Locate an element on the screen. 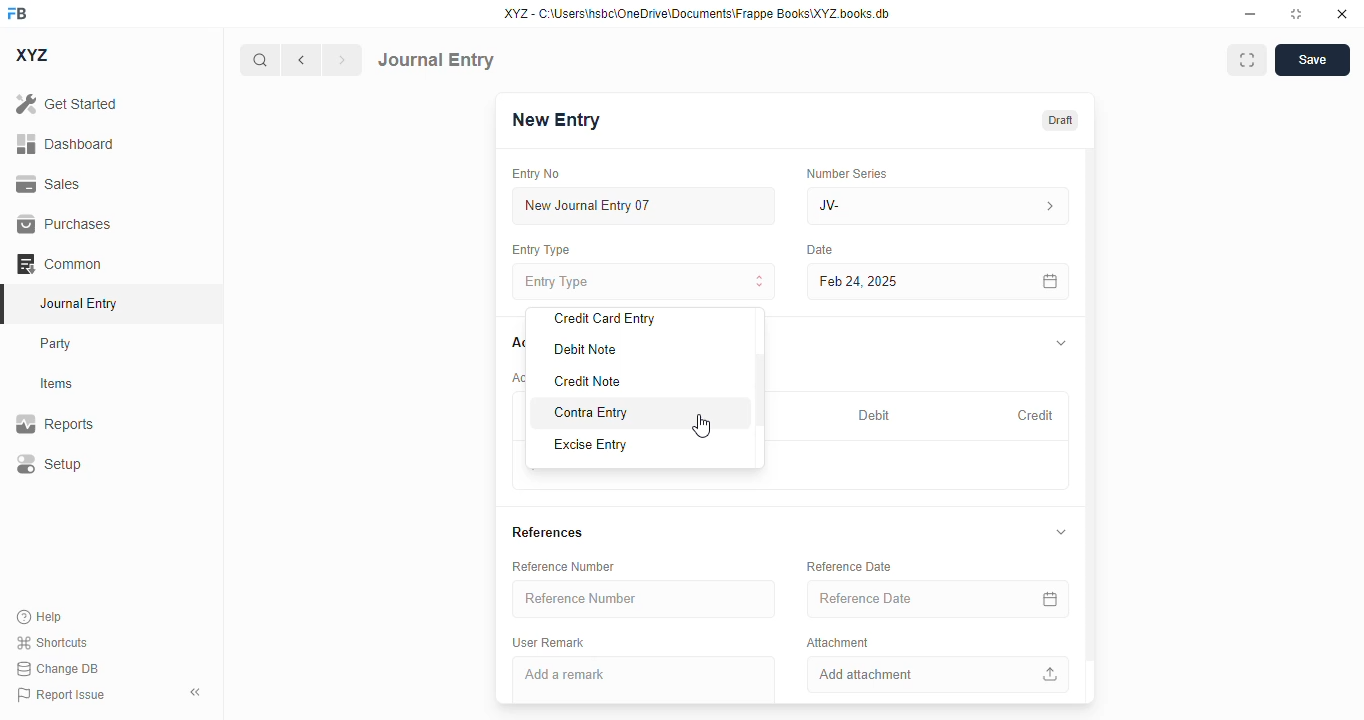 The image size is (1364, 720). toggle expand/collapse is located at coordinates (1062, 342).